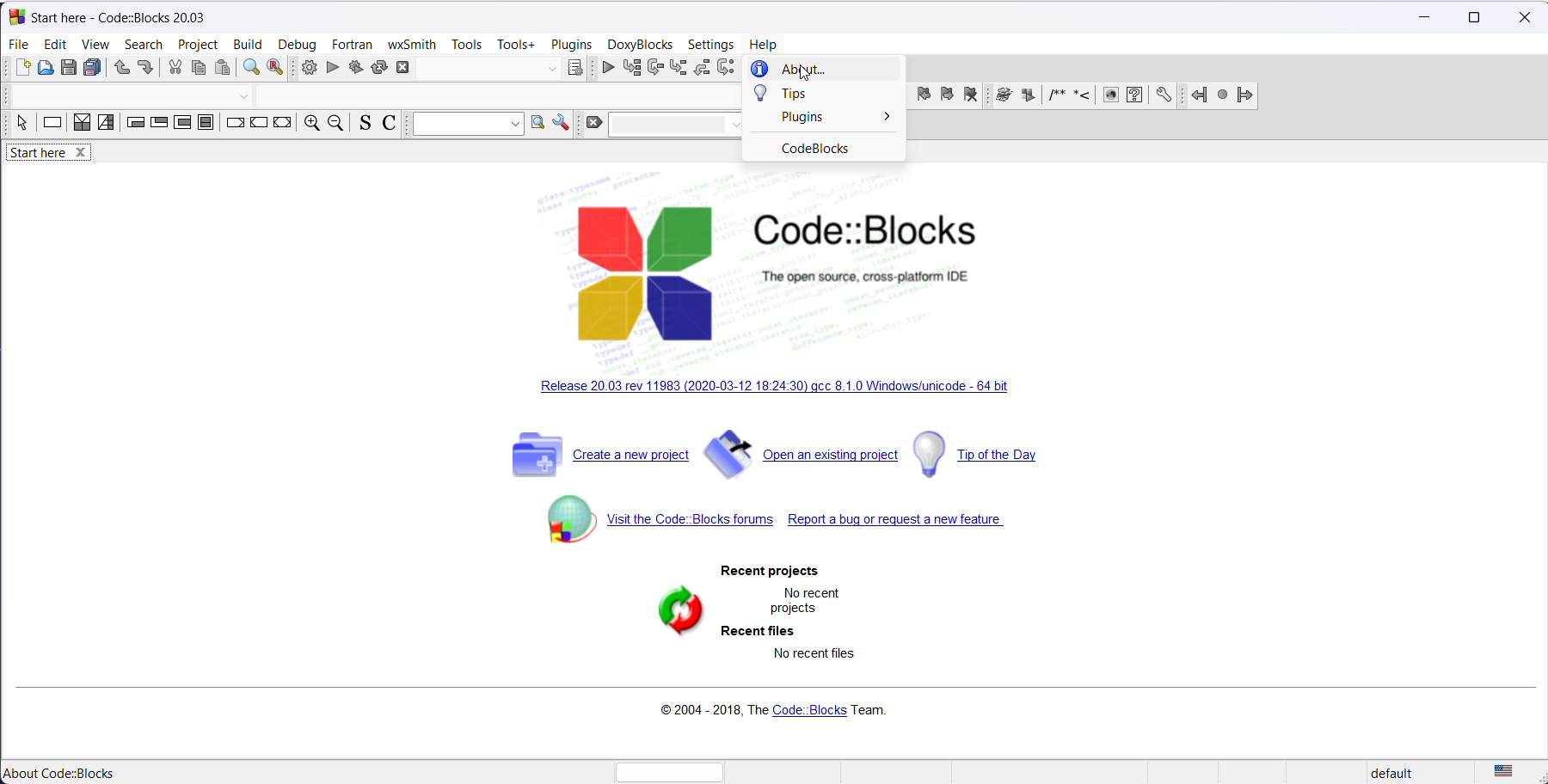  What do you see at coordinates (21, 69) in the screenshot?
I see `new file` at bounding box center [21, 69].